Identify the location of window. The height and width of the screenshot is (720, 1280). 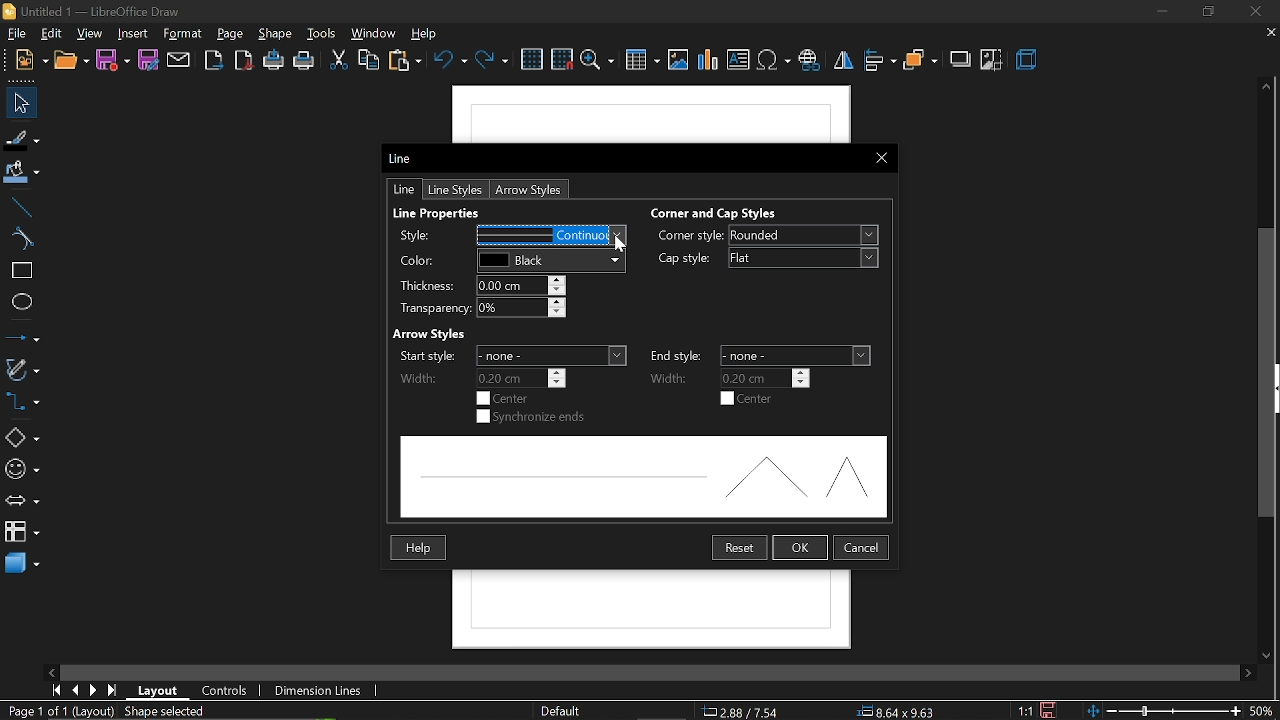
(371, 33).